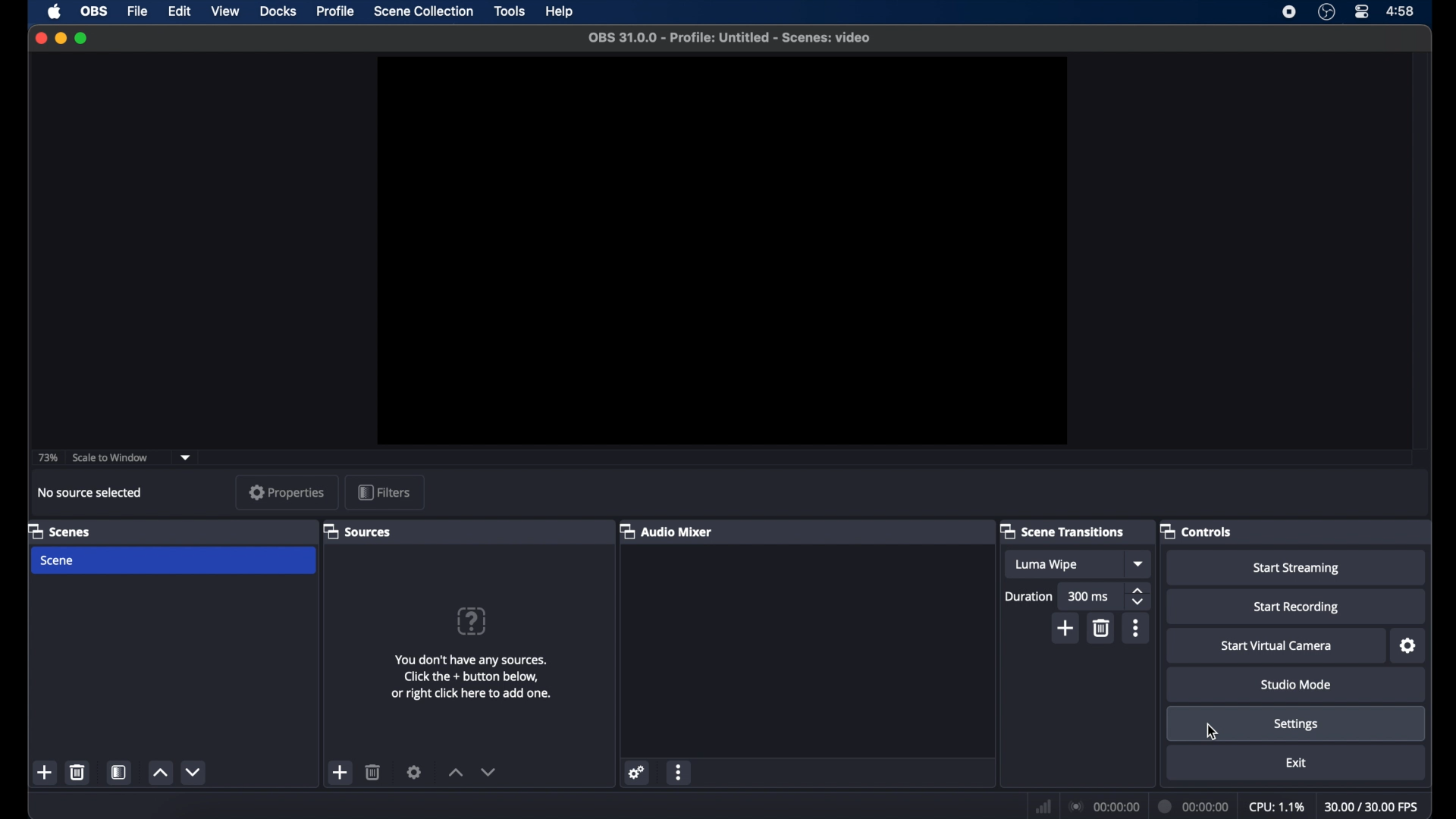 The height and width of the screenshot is (819, 1456). I want to click on 00:00:00, so click(1195, 807).